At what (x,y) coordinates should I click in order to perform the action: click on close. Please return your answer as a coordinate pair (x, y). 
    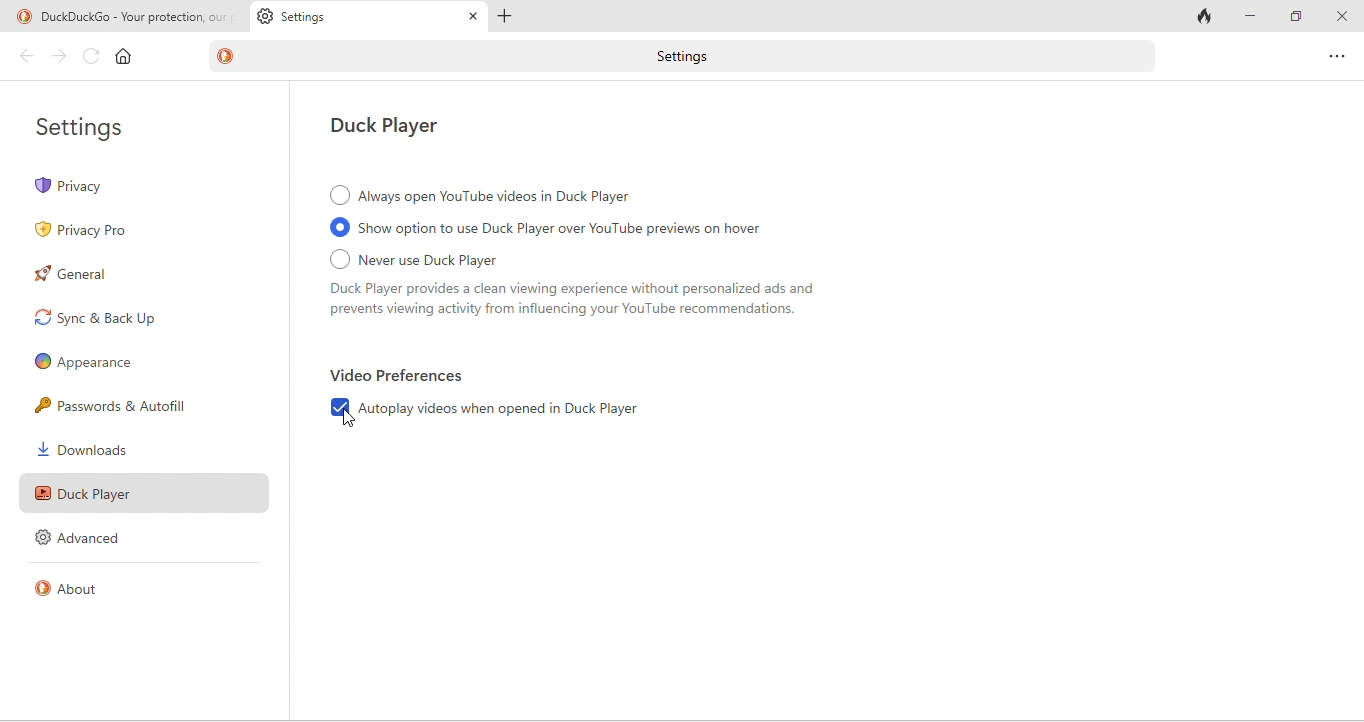
    Looking at the image, I should click on (1341, 17).